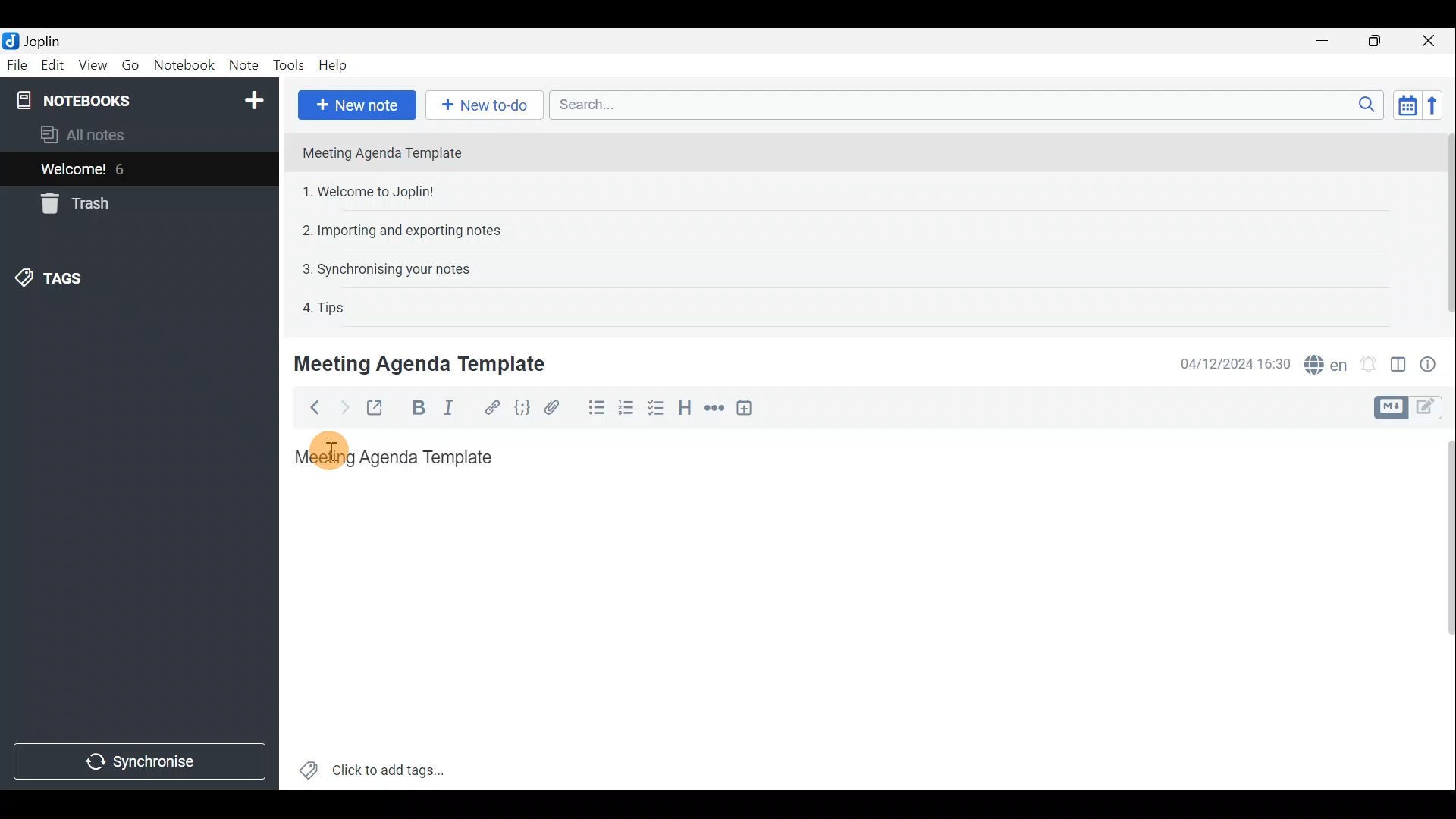 The image size is (1456, 819). I want to click on Trash, so click(72, 203).